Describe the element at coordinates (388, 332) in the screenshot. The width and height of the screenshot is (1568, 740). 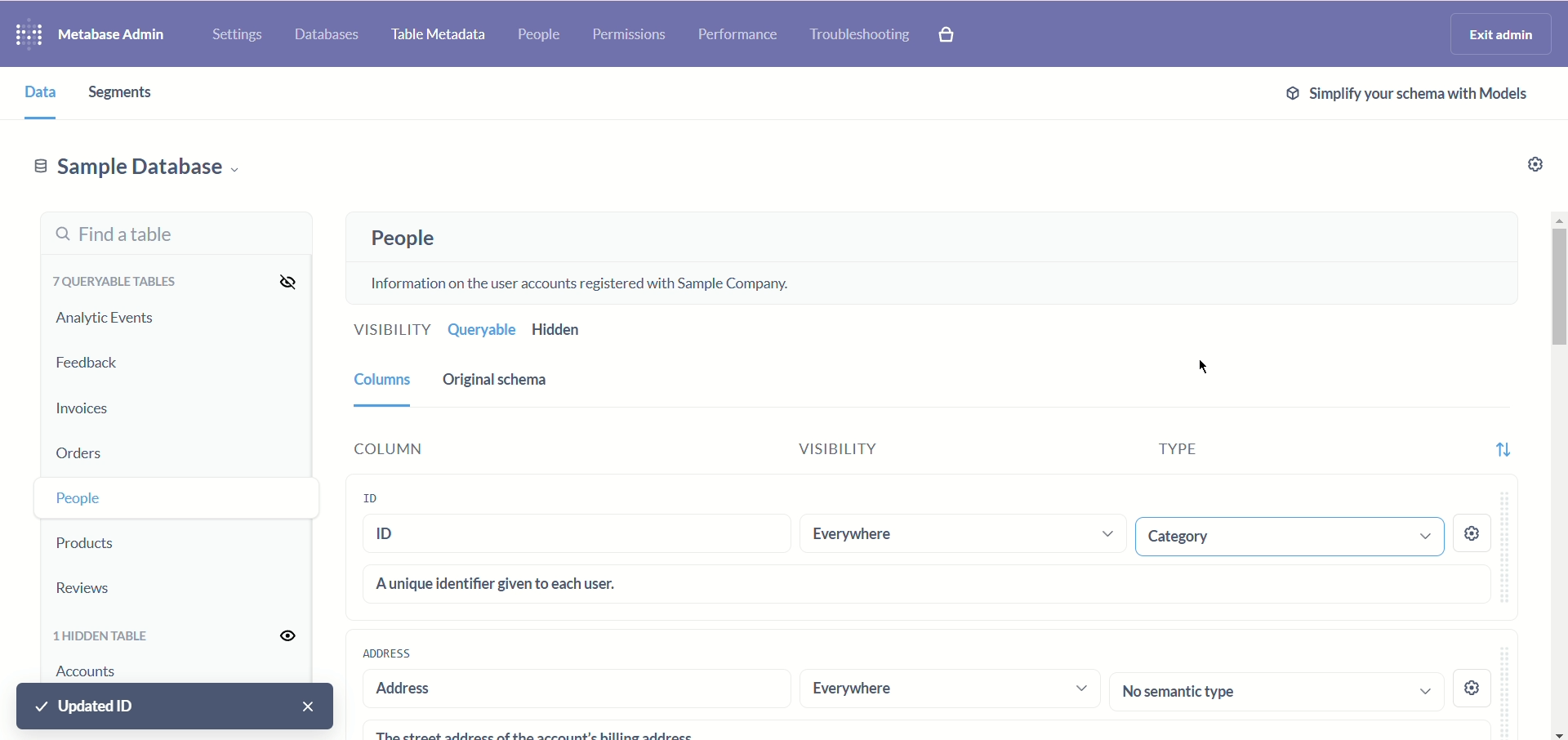
I see `Visibility` at that location.